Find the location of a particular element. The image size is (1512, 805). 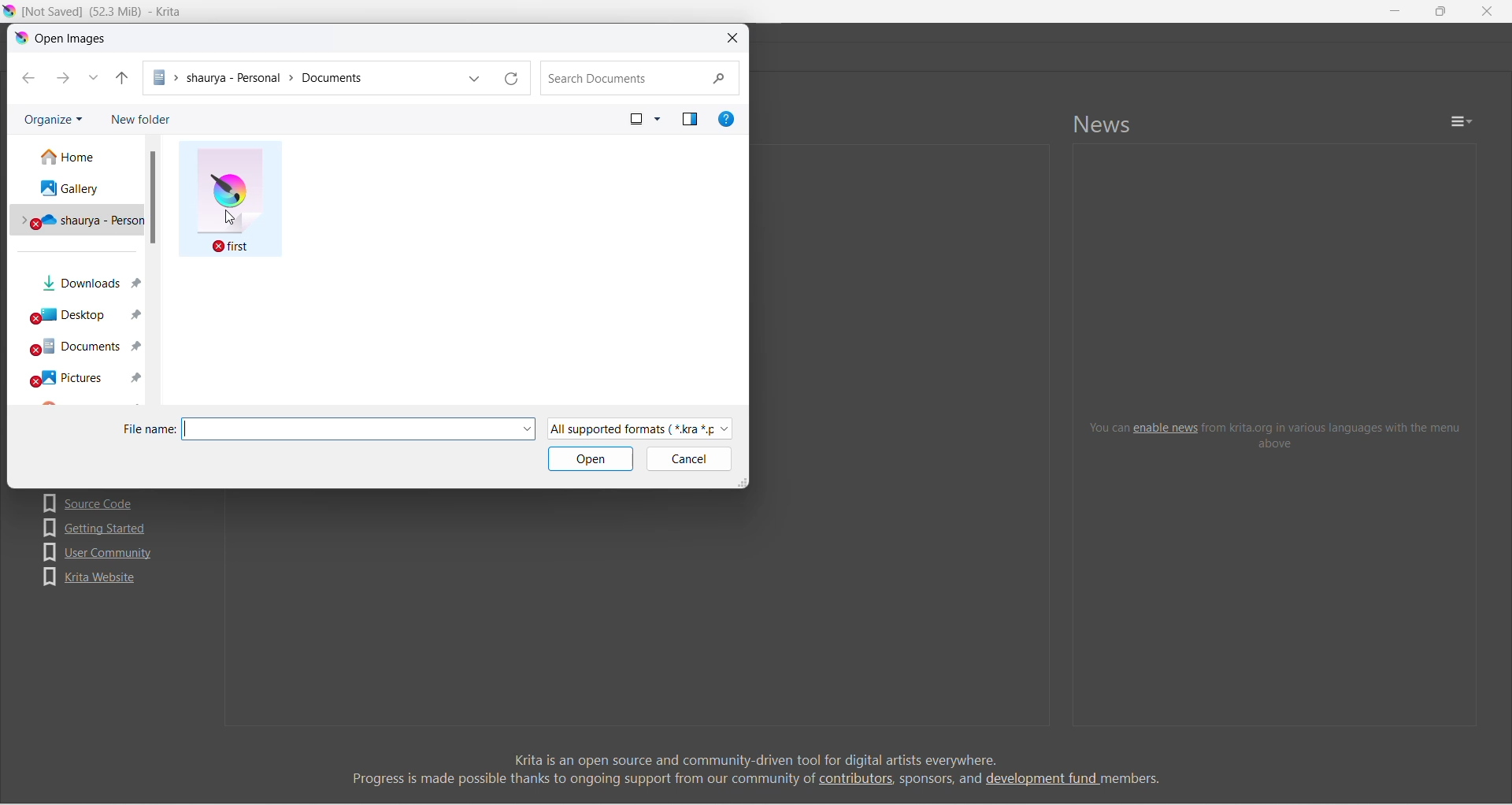

search box is located at coordinates (640, 78).